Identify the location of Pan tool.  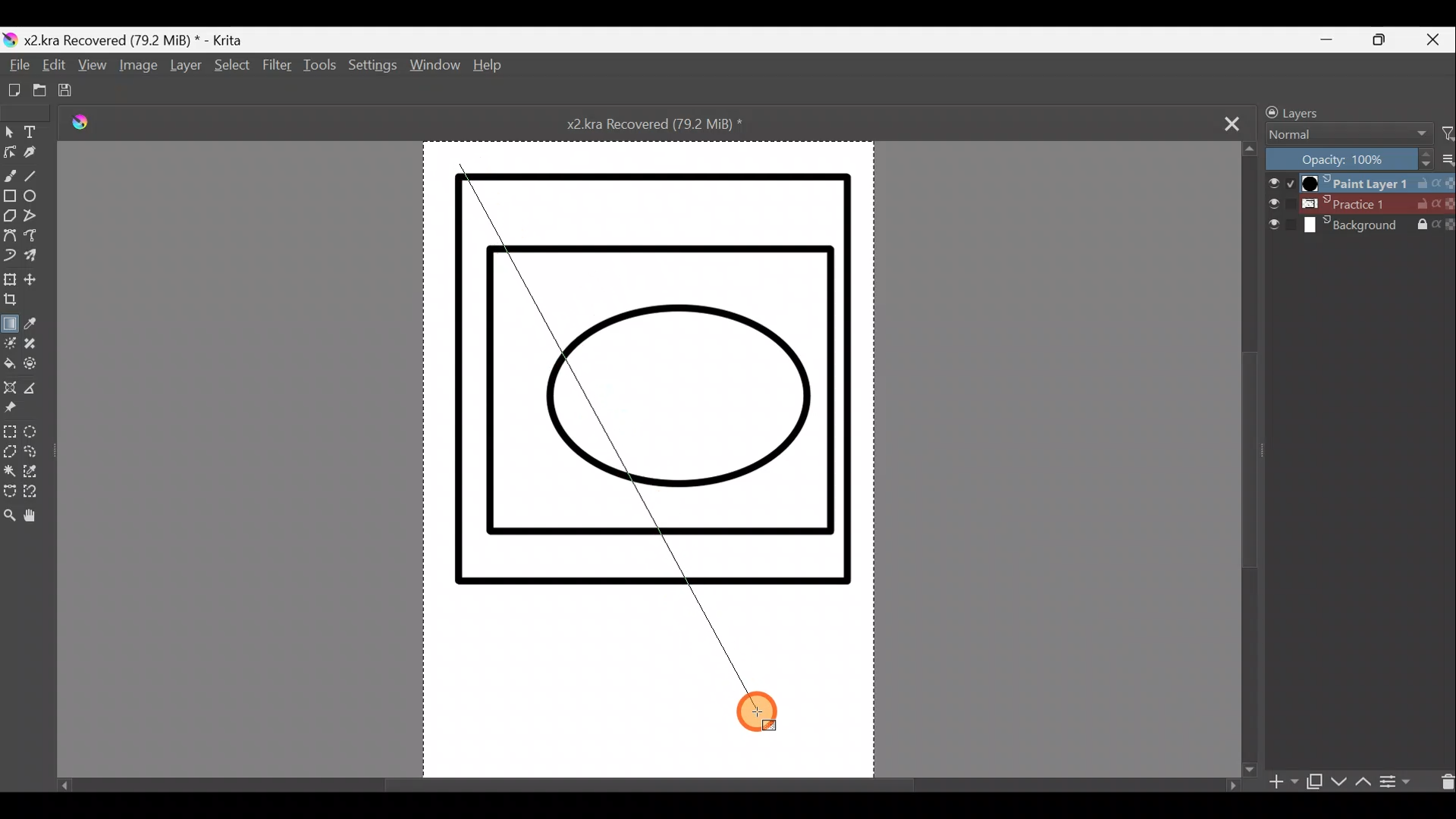
(35, 519).